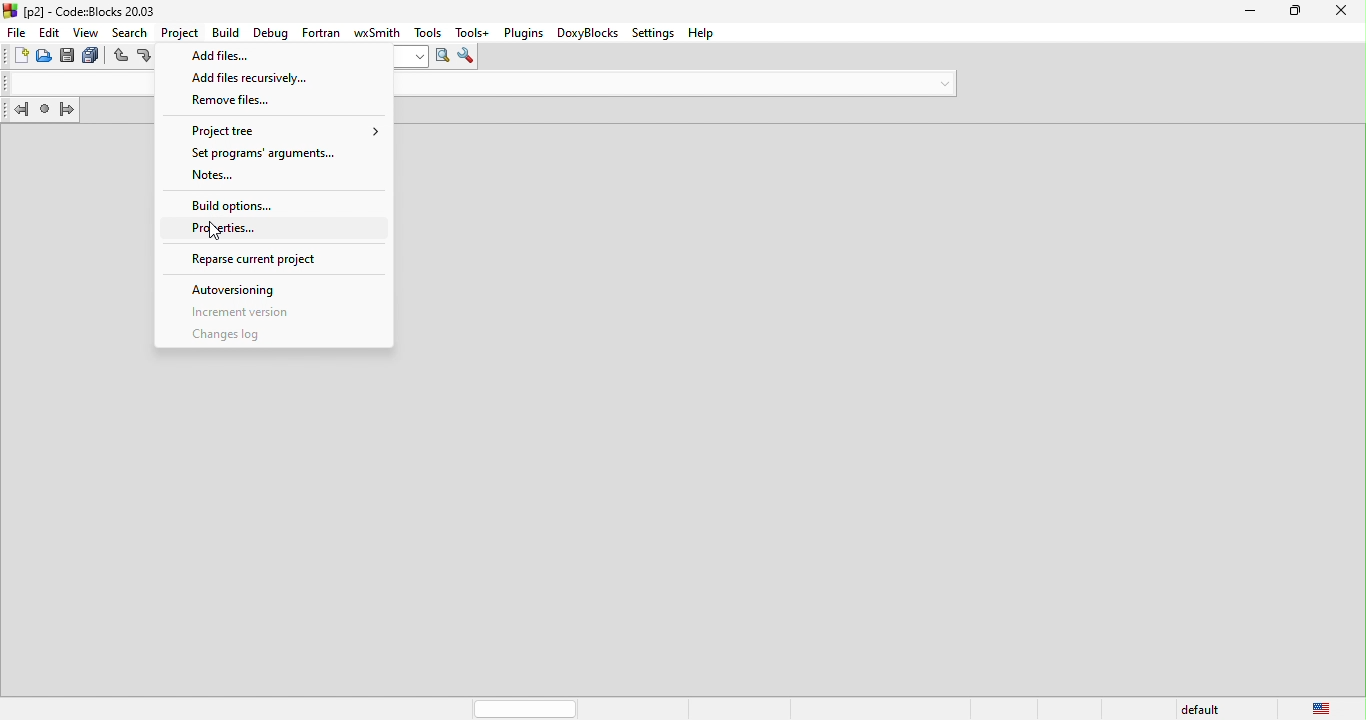  What do you see at coordinates (223, 32) in the screenshot?
I see `build` at bounding box center [223, 32].